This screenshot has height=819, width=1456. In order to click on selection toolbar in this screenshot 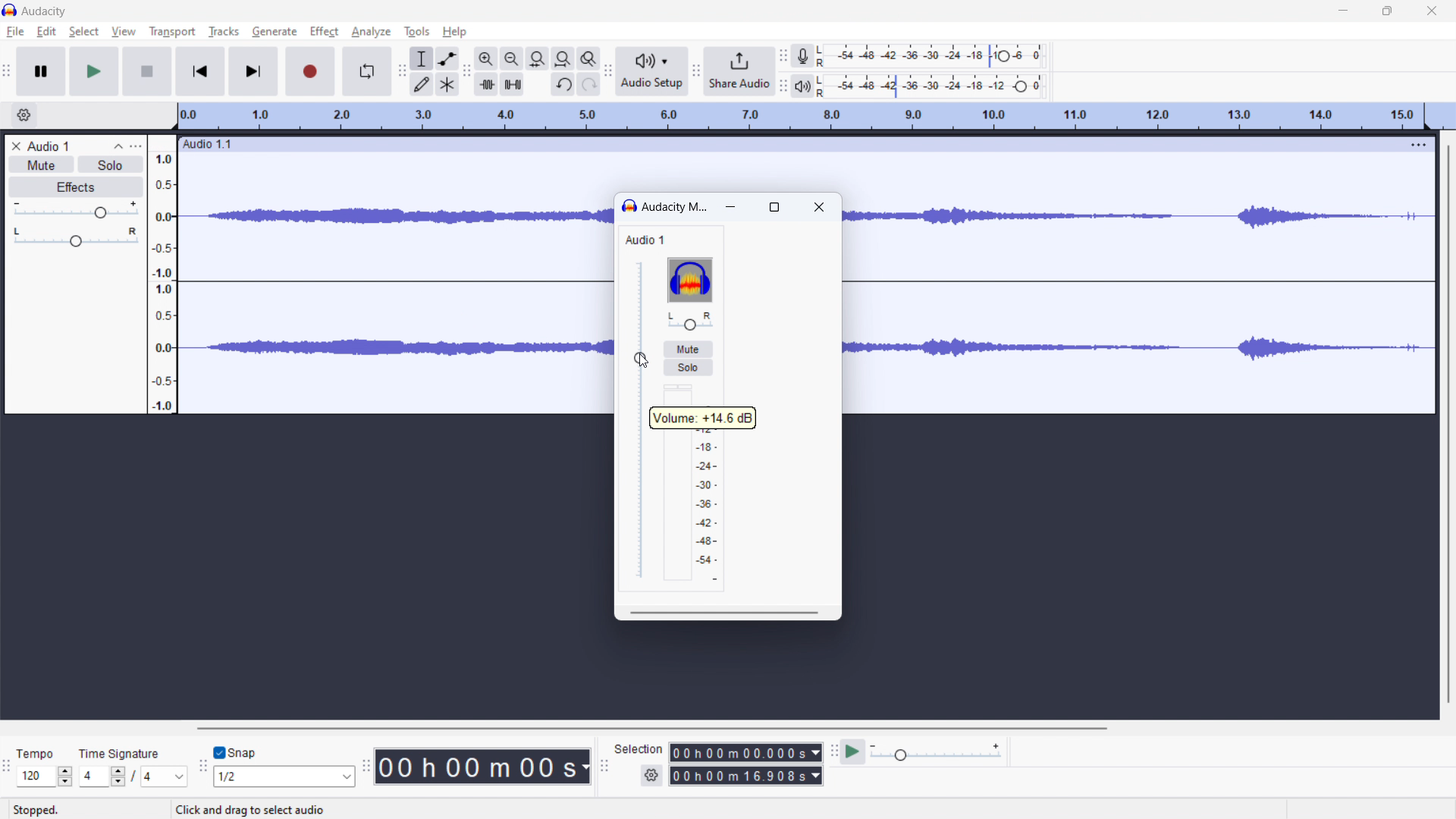, I will do `click(604, 766)`.